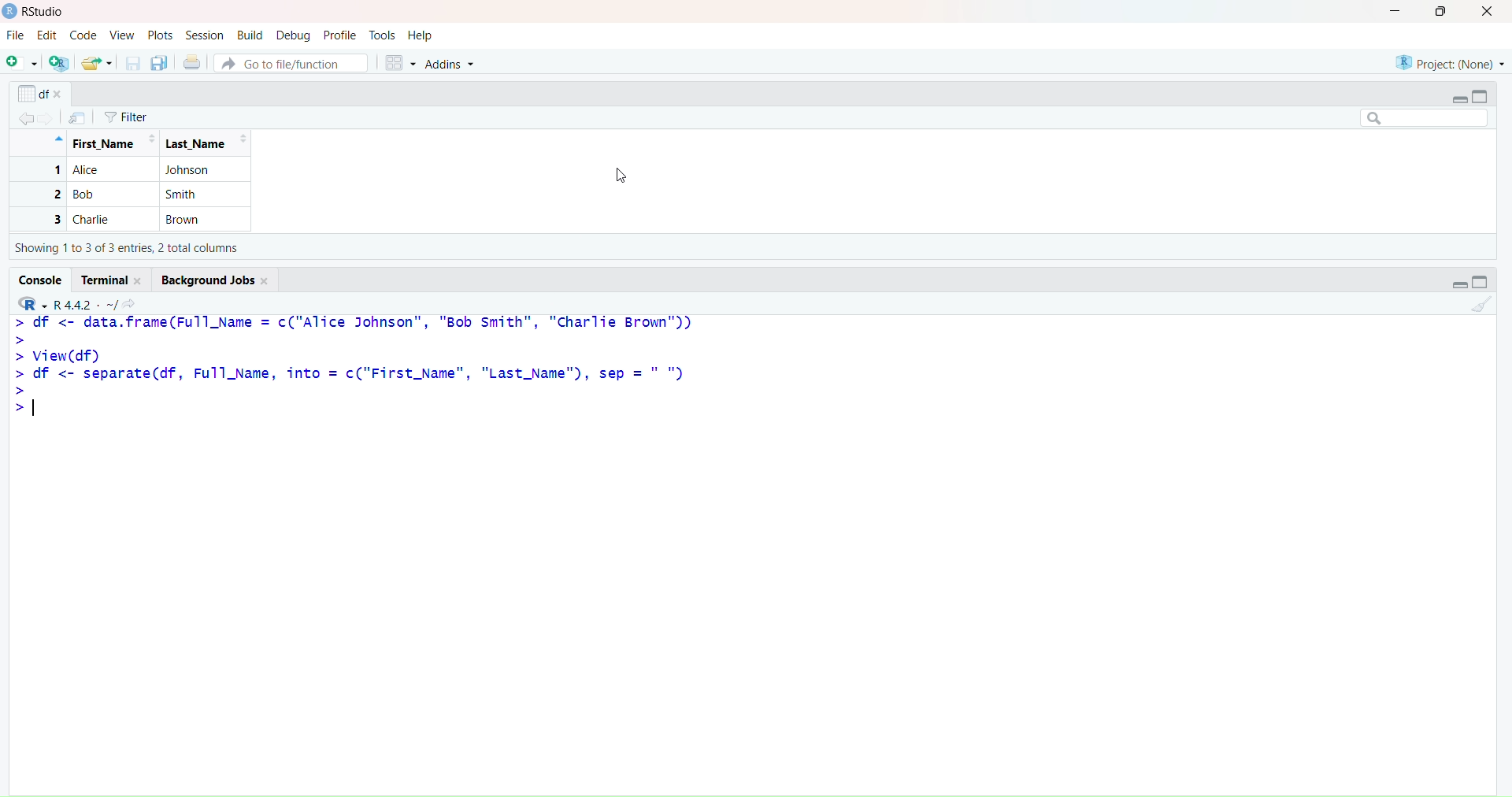 This screenshot has width=1512, height=797. What do you see at coordinates (98, 63) in the screenshot?
I see `Open an existing file (Ctrl + O)` at bounding box center [98, 63].